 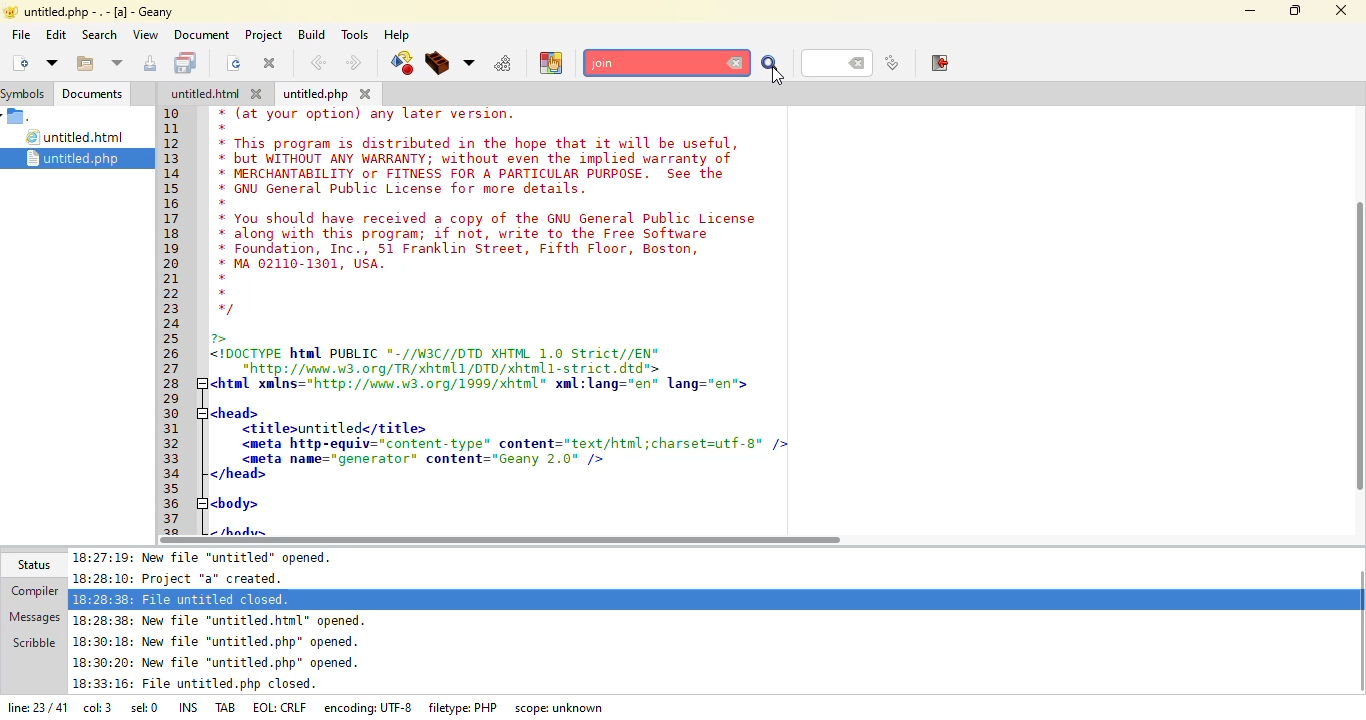 What do you see at coordinates (233, 411) in the screenshot?
I see `<head>` at bounding box center [233, 411].